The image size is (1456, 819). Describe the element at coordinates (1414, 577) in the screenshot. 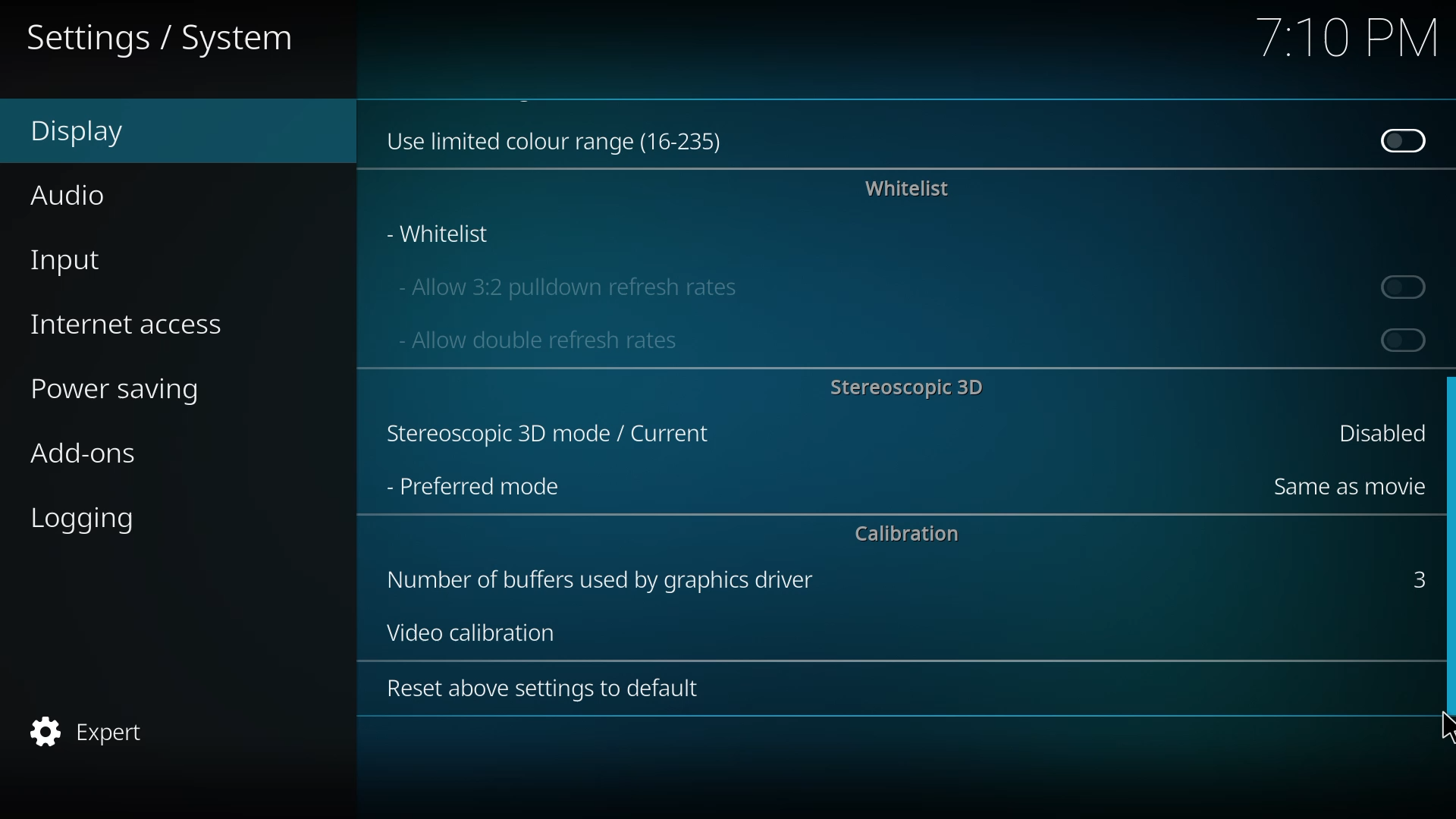

I see `3` at that location.